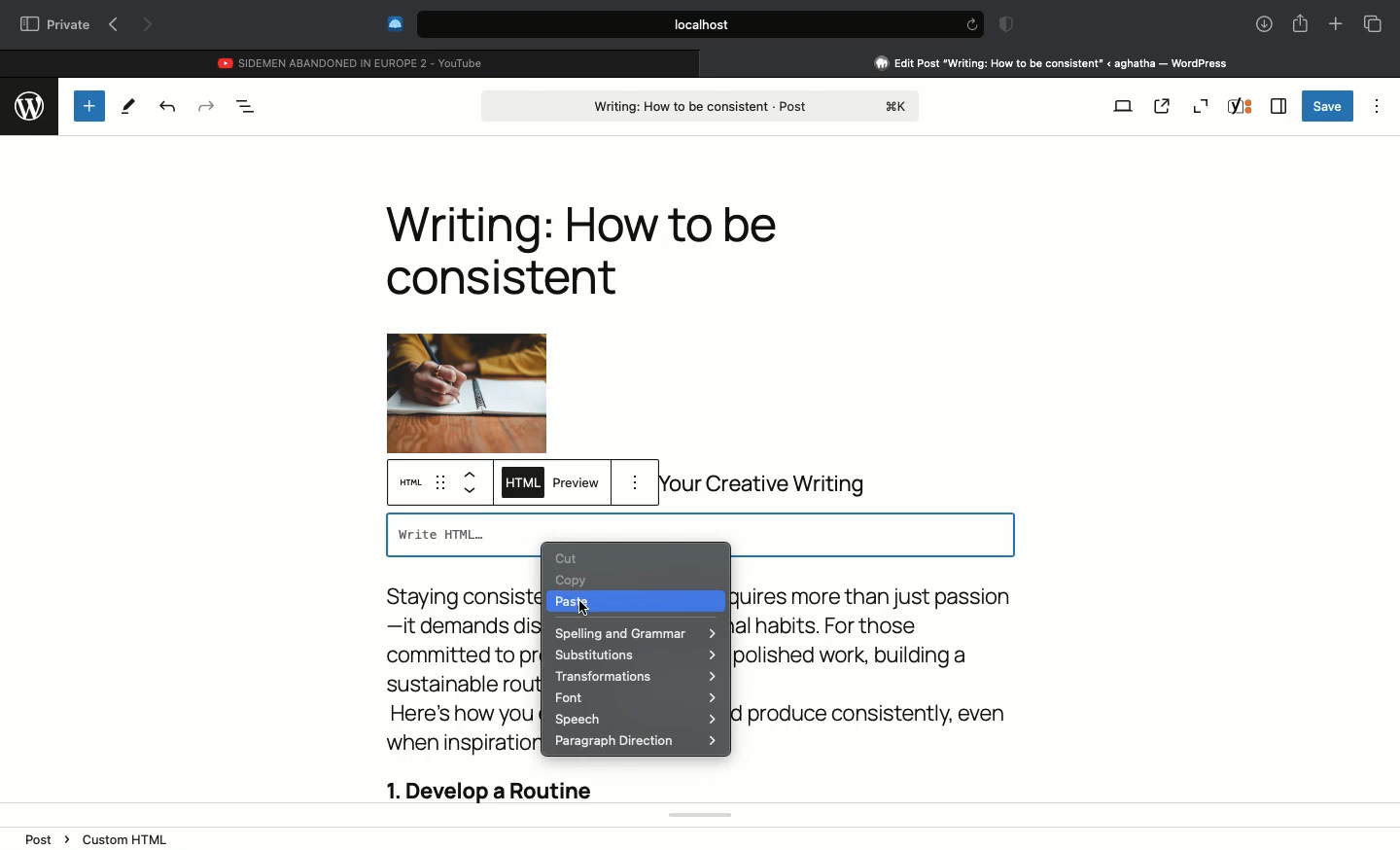 The height and width of the screenshot is (850, 1400). I want to click on Share, so click(1300, 21).